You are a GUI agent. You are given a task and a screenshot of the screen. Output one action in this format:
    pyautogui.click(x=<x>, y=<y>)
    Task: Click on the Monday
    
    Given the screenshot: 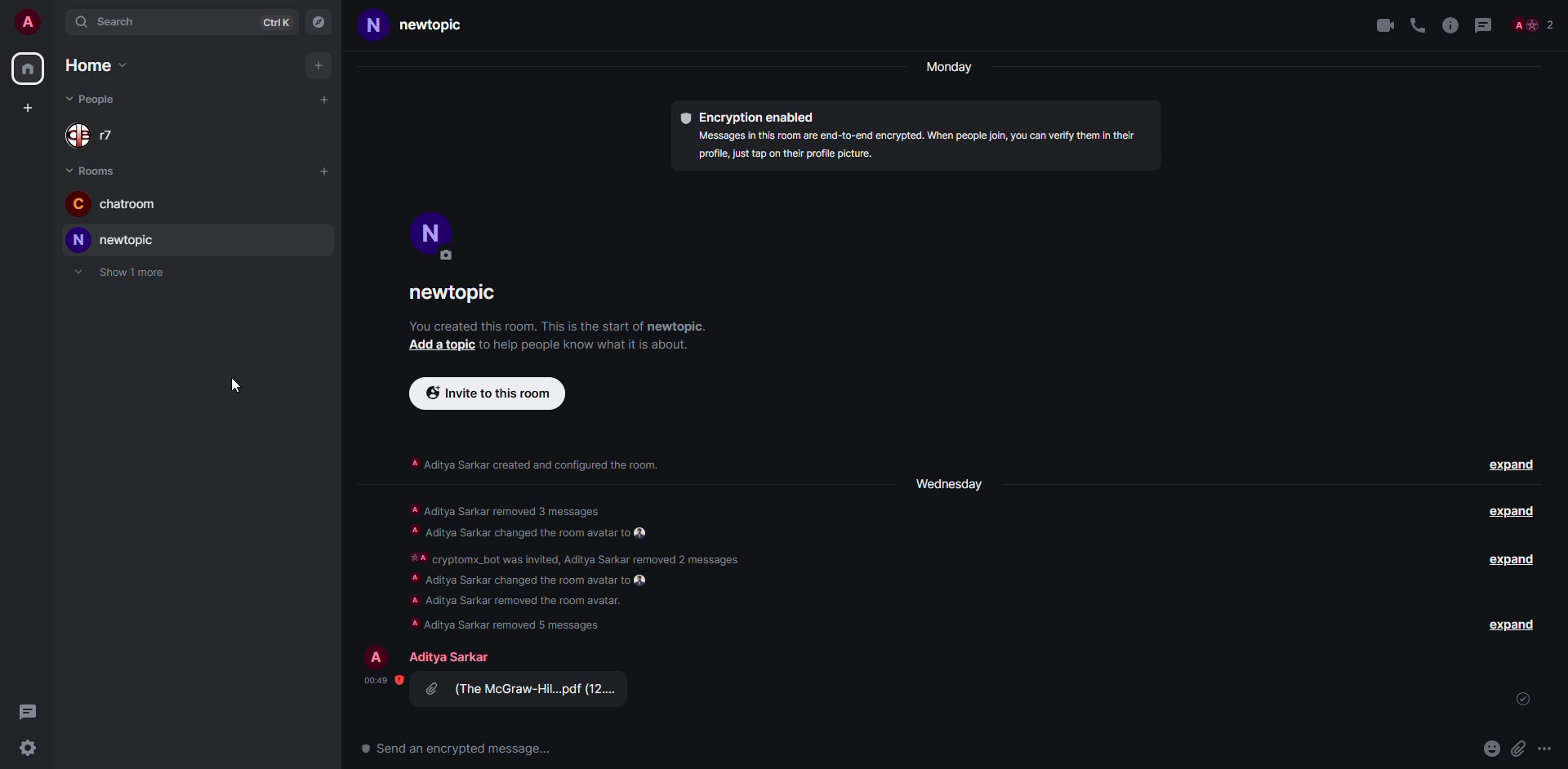 What is the action you would take?
    pyautogui.click(x=946, y=69)
    